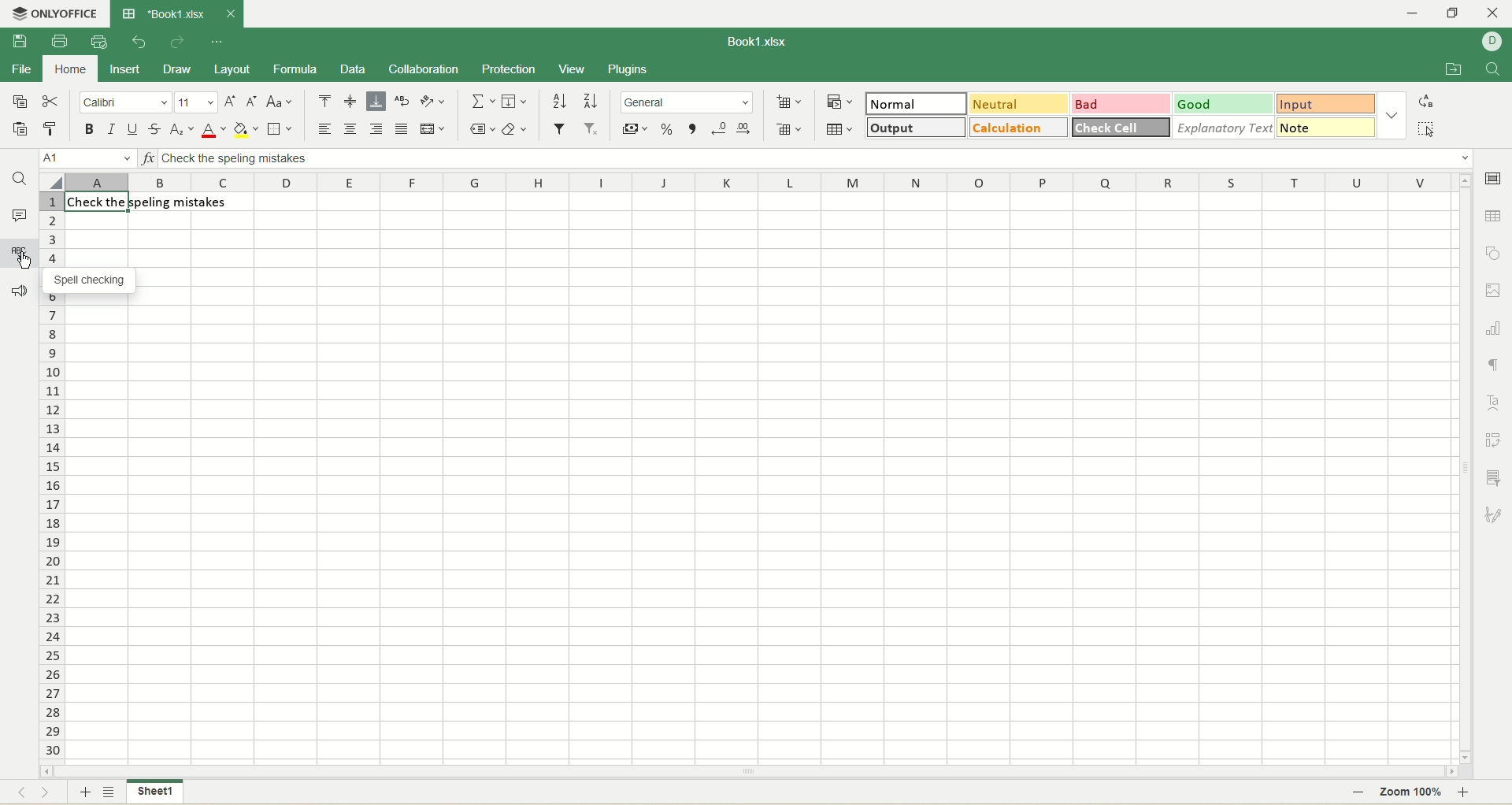 The width and height of the screenshot is (1512, 805). I want to click on protection, so click(507, 70).